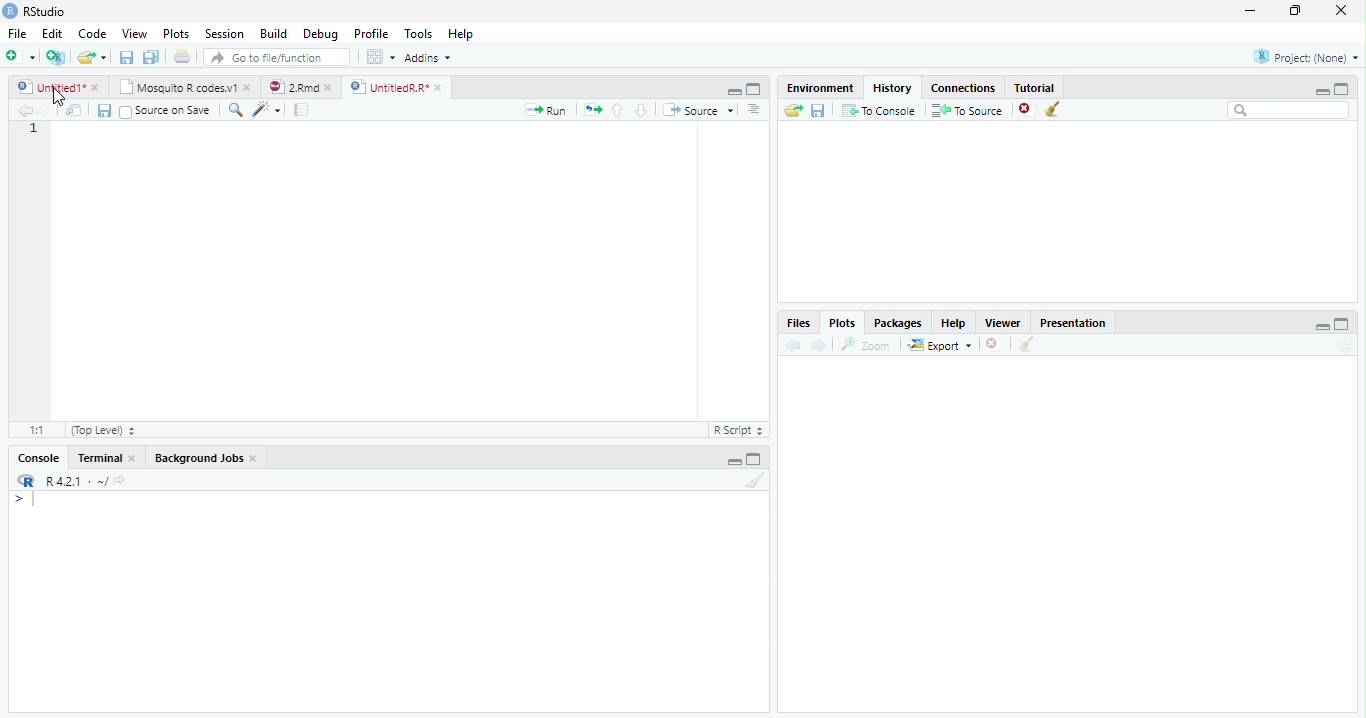  Describe the element at coordinates (26, 111) in the screenshot. I see `Back ` at that location.